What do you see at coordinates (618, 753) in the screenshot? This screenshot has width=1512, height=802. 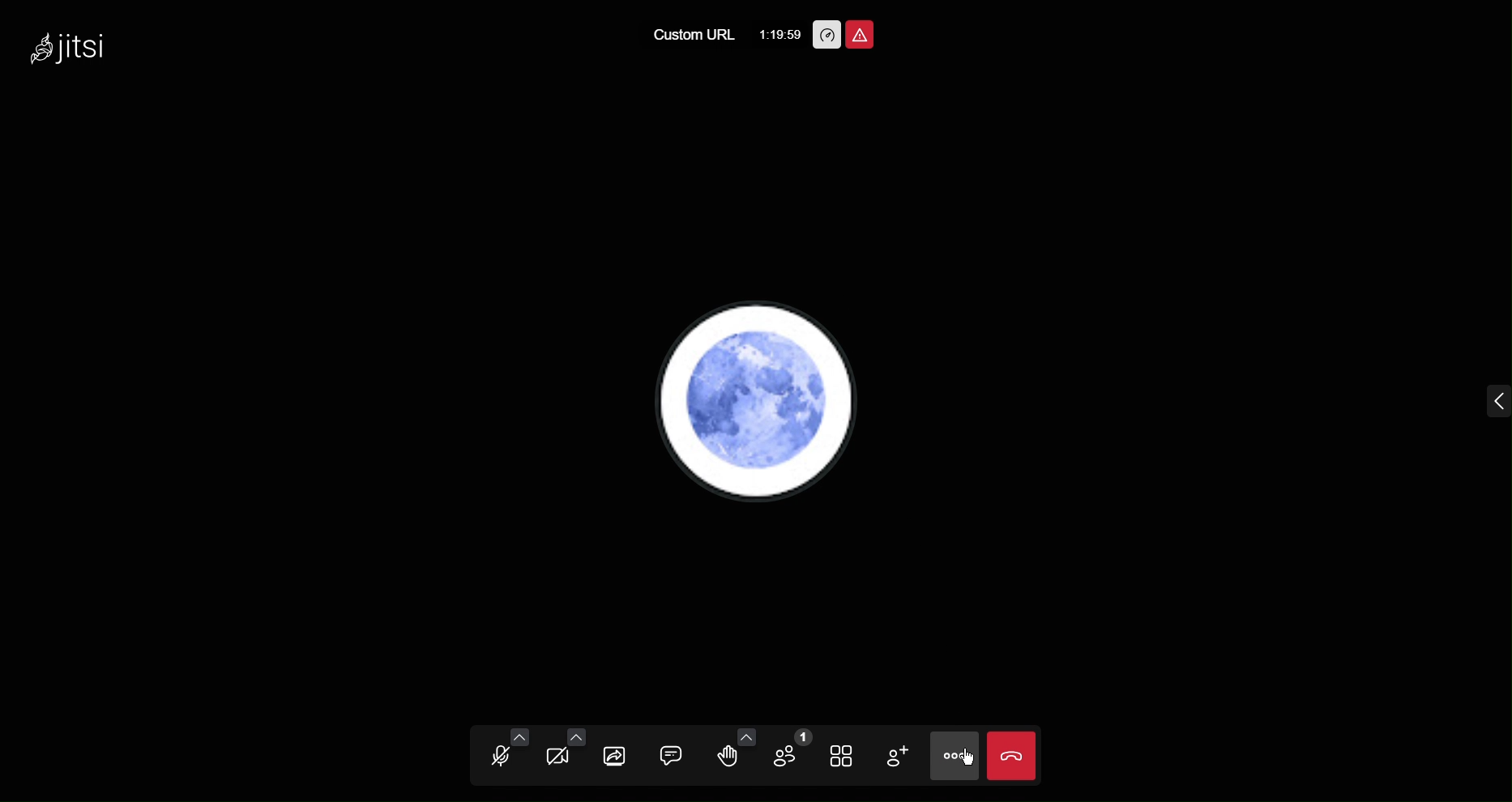 I see `Share Screen` at bounding box center [618, 753].